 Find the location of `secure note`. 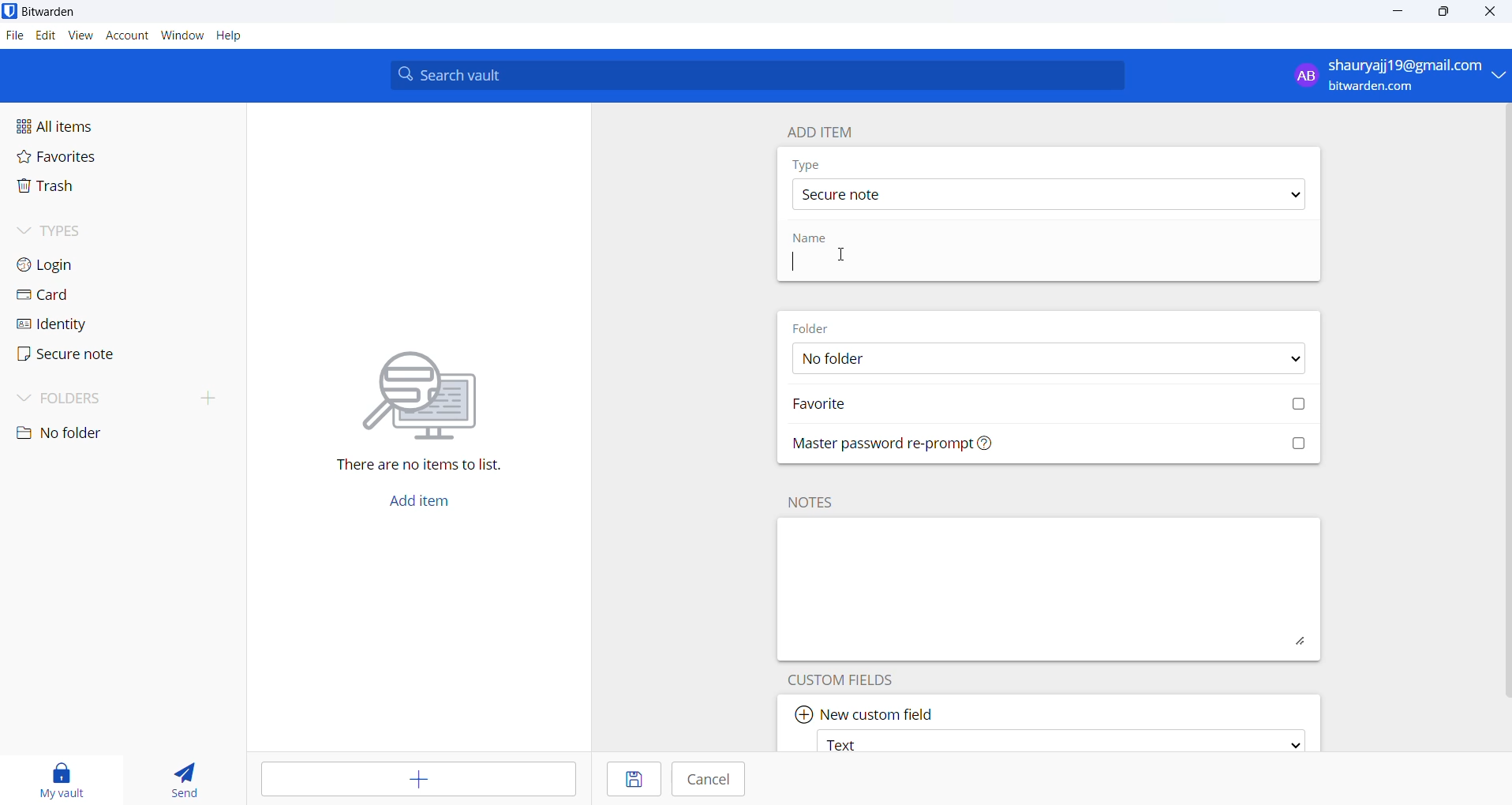

secure note is located at coordinates (85, 358).